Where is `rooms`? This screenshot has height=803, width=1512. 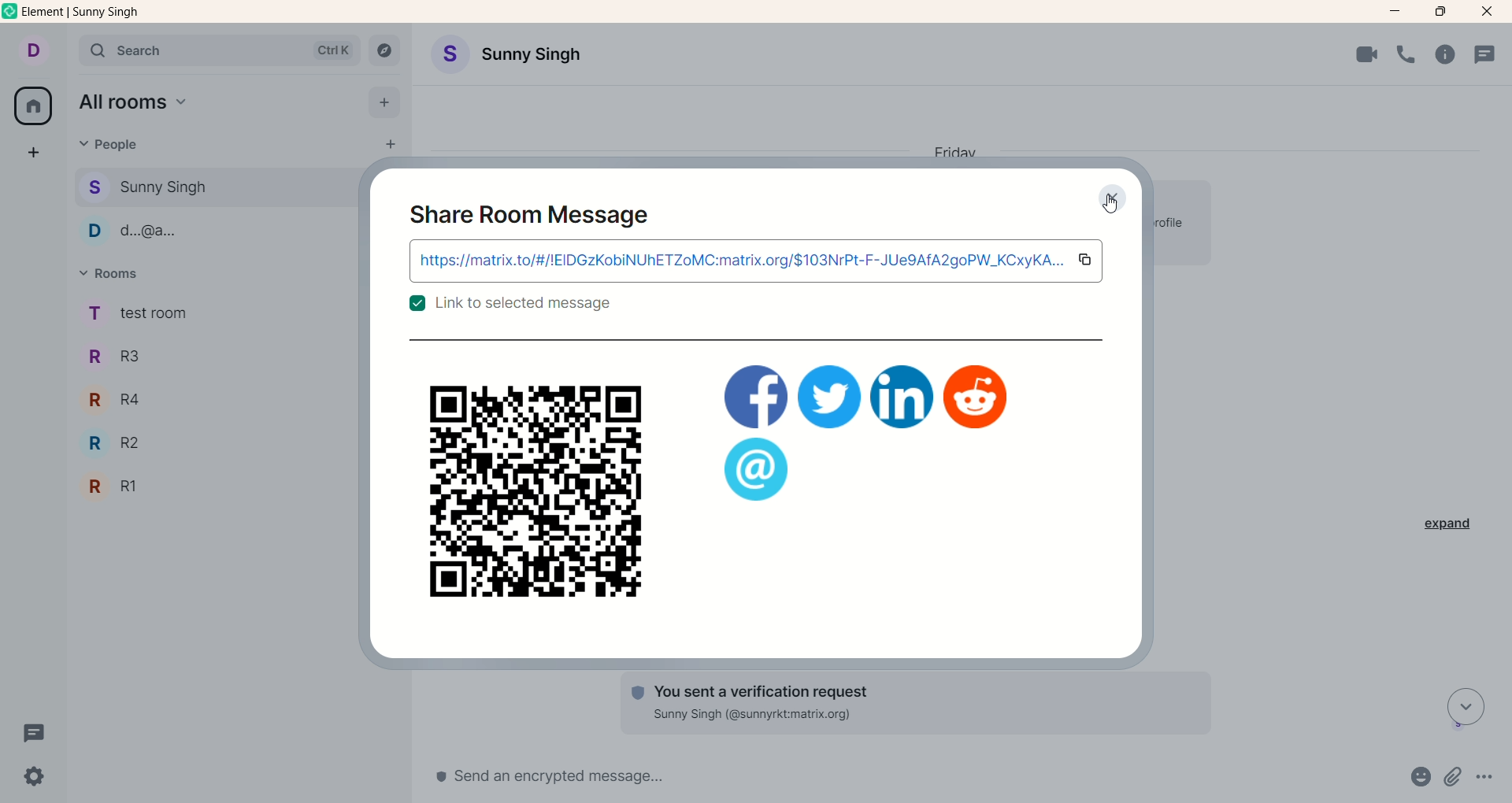
rooms is located at coordinates (139, 312).